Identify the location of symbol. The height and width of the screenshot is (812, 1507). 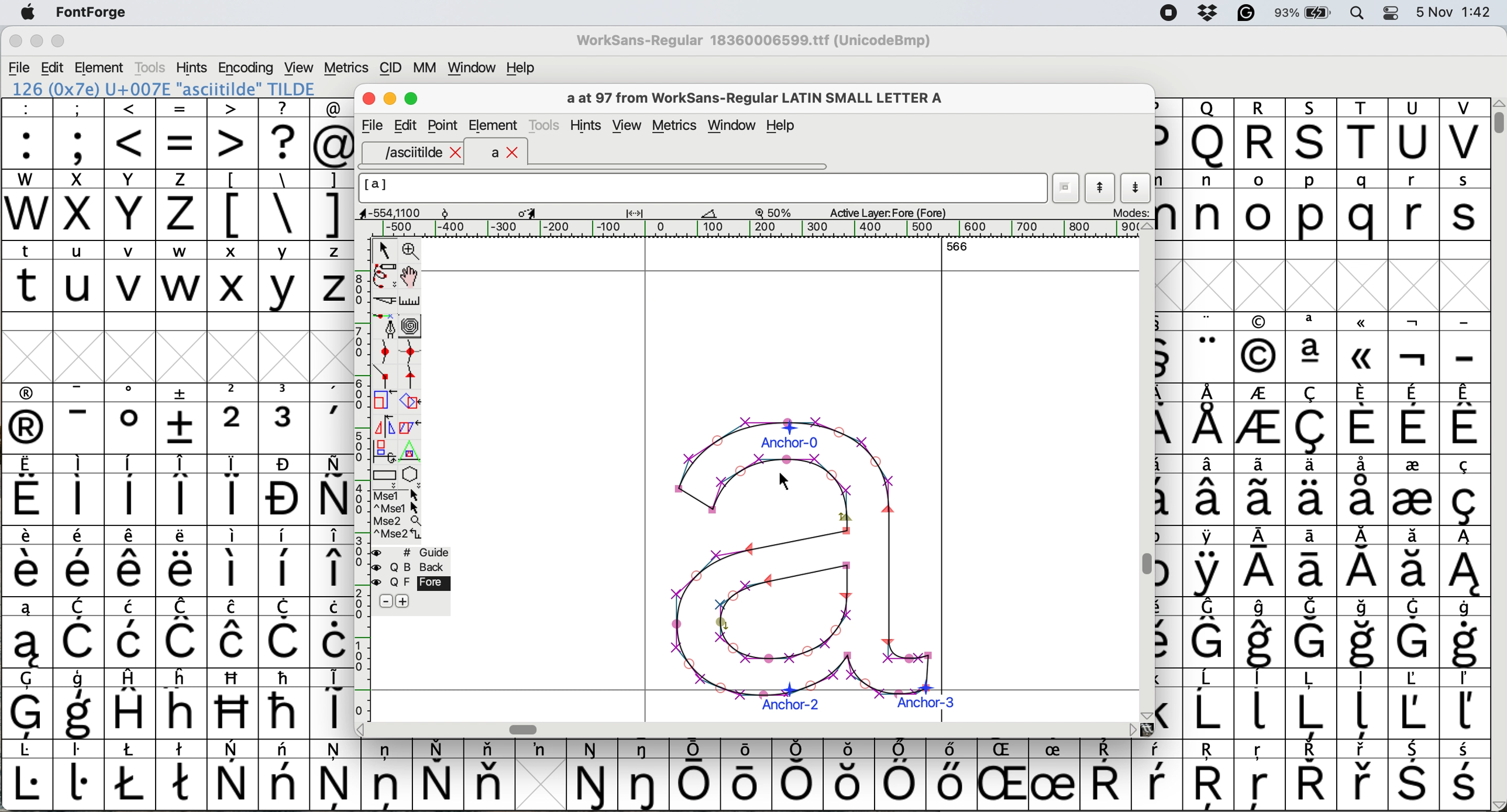
(1364, 776).